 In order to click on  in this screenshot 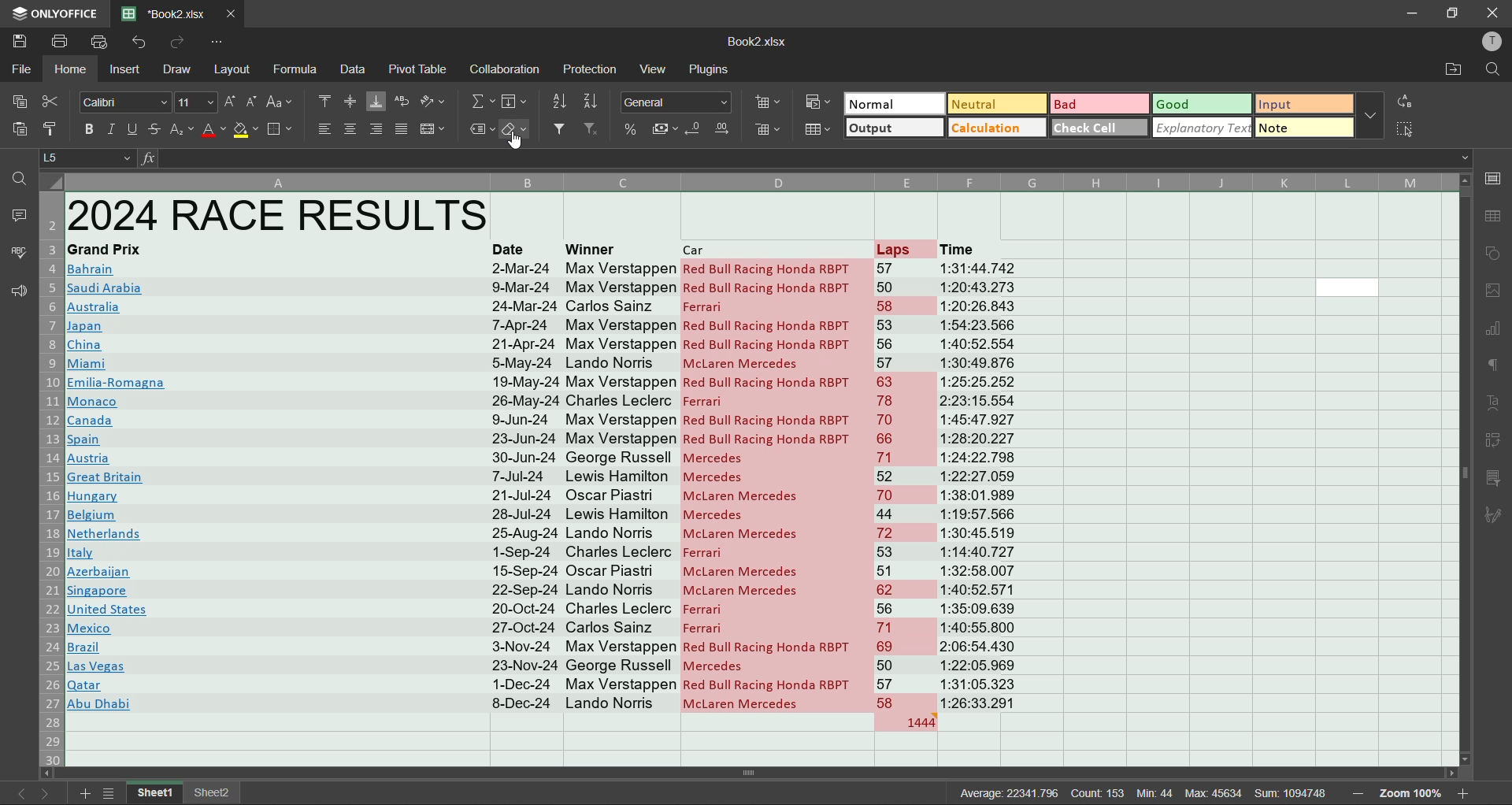, I will do `click(516, 102)`.